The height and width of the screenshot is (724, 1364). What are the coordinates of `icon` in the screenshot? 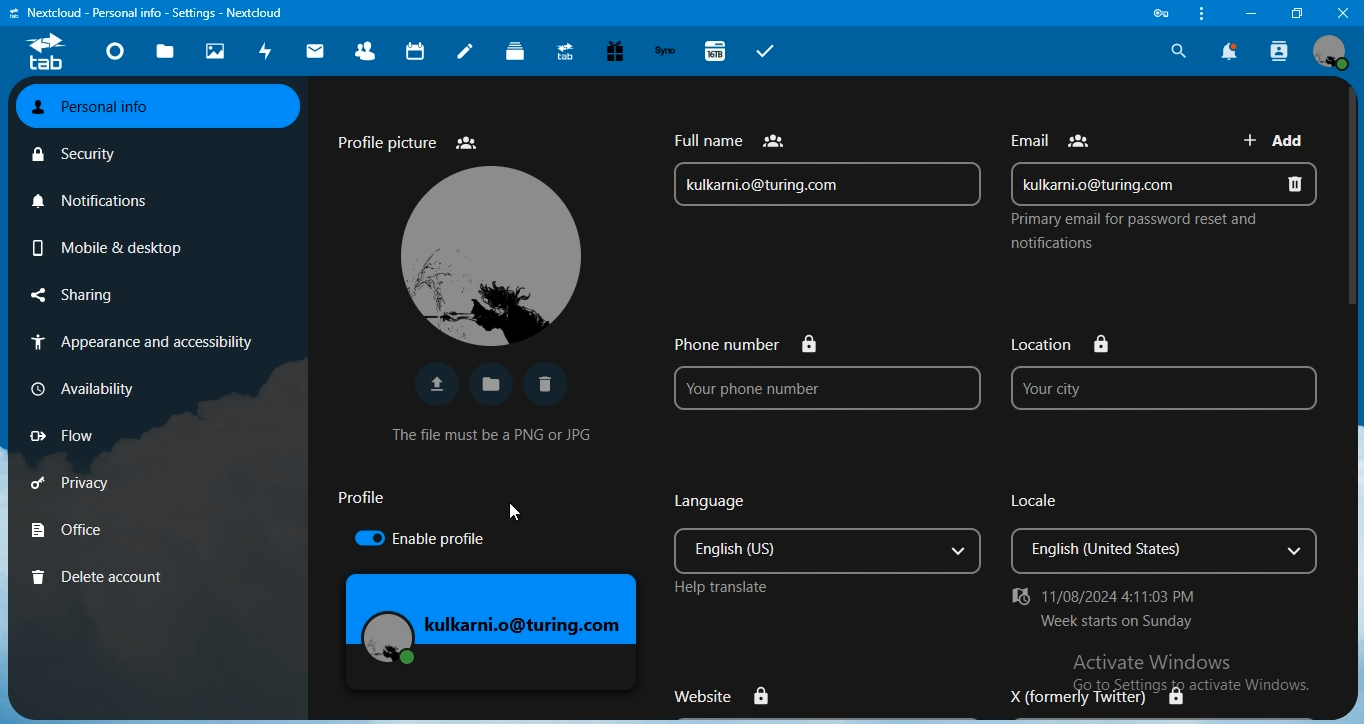 It's located at (1164, 13).